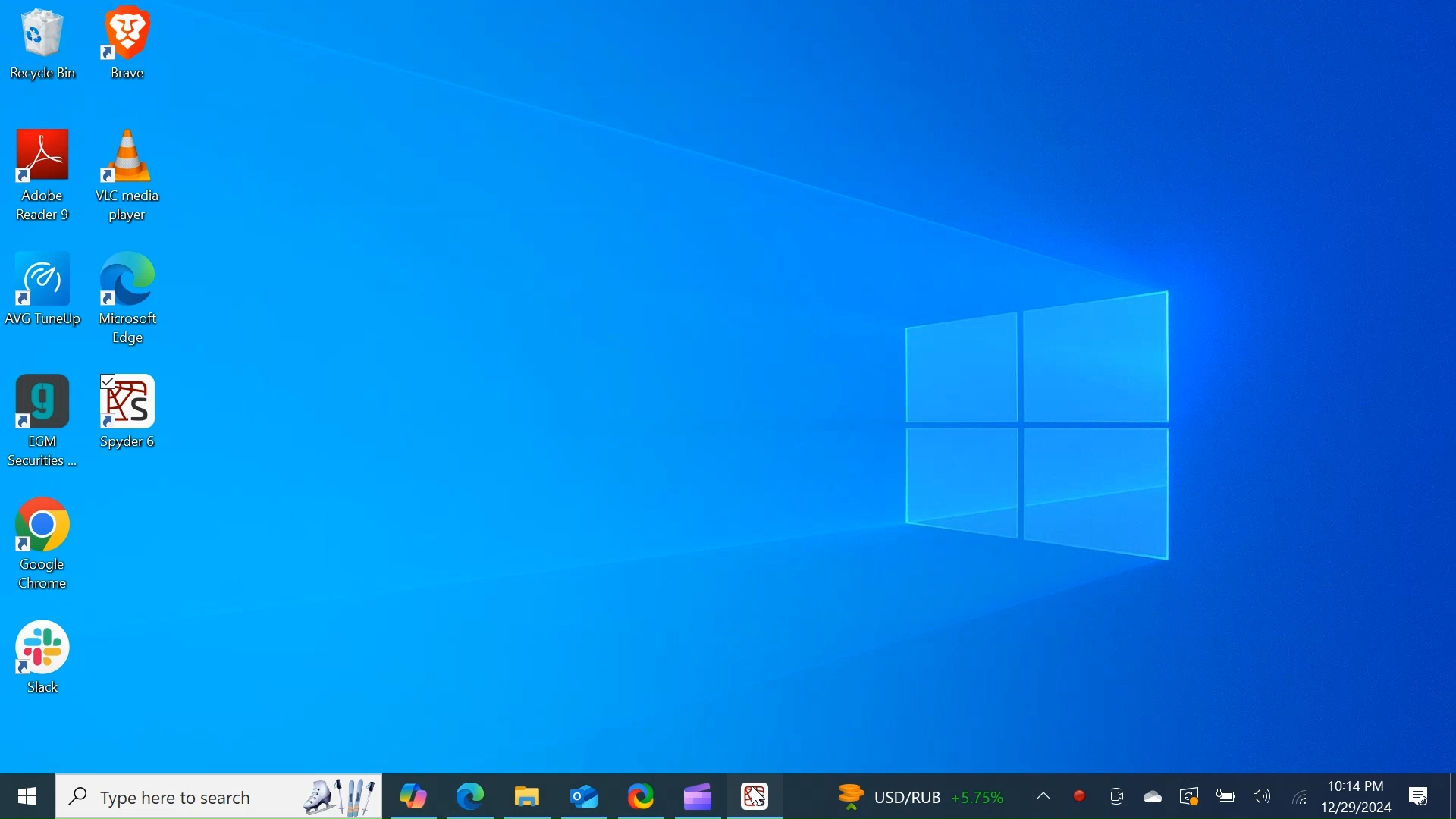 The height and width of the screenshot is (819, 1456). What do you see at coordinates (43, 656) in the screenshot?
I see `Slack Desktop Icon` at bounding box center [43, 656].